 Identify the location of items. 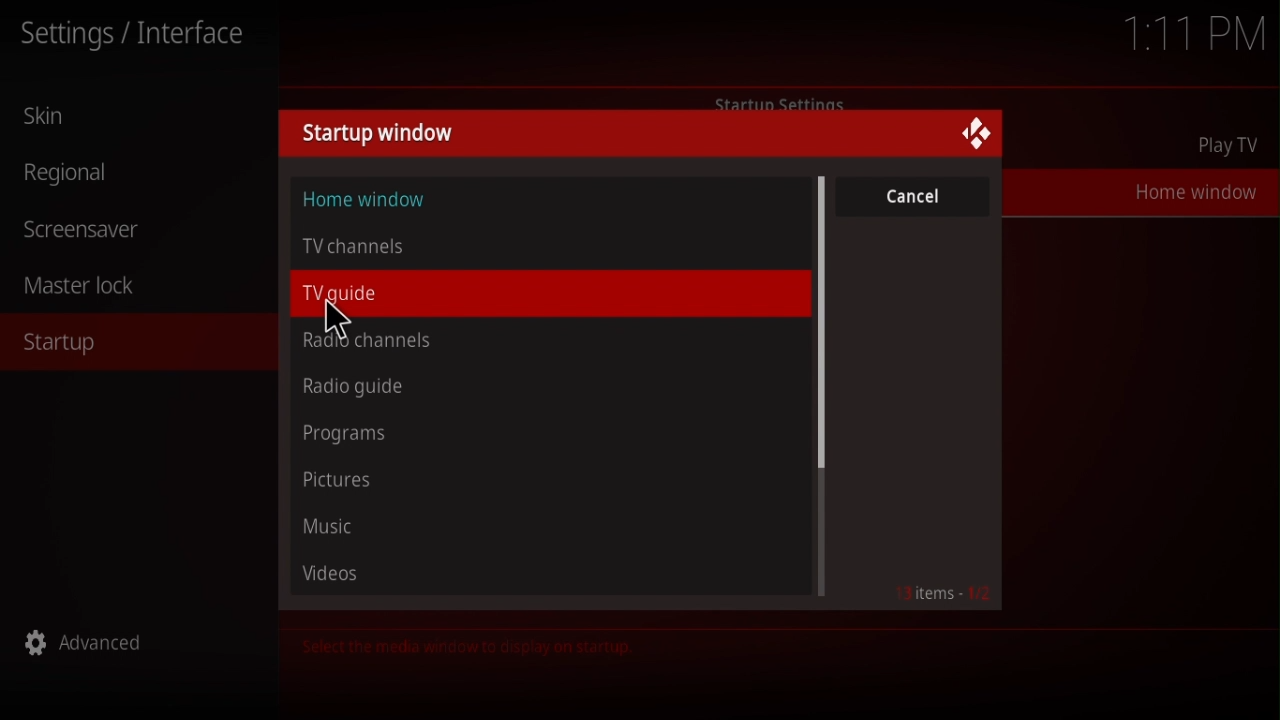
(944, 596).